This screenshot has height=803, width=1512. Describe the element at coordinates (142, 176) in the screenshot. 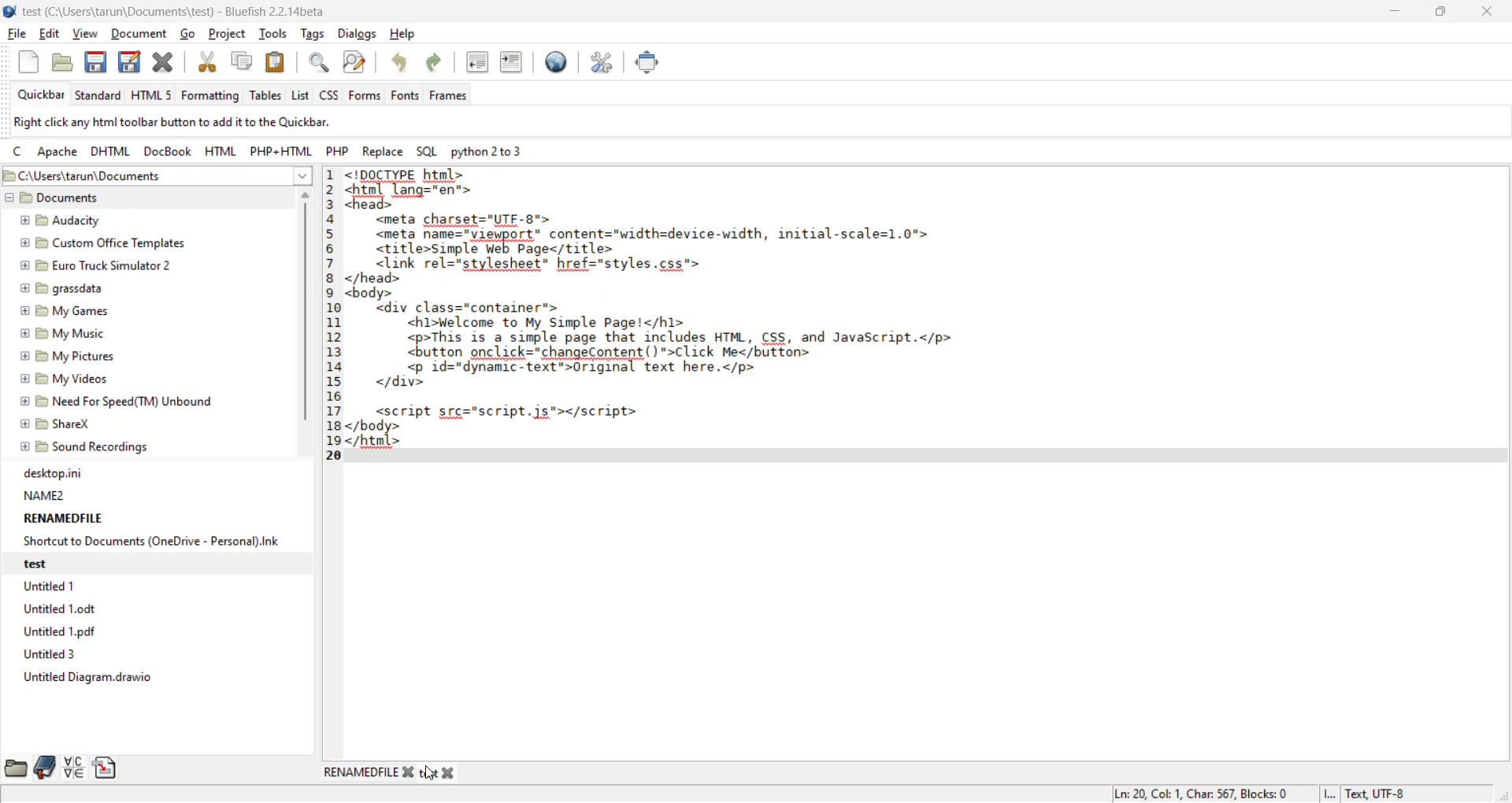

I see `file path` at that location.